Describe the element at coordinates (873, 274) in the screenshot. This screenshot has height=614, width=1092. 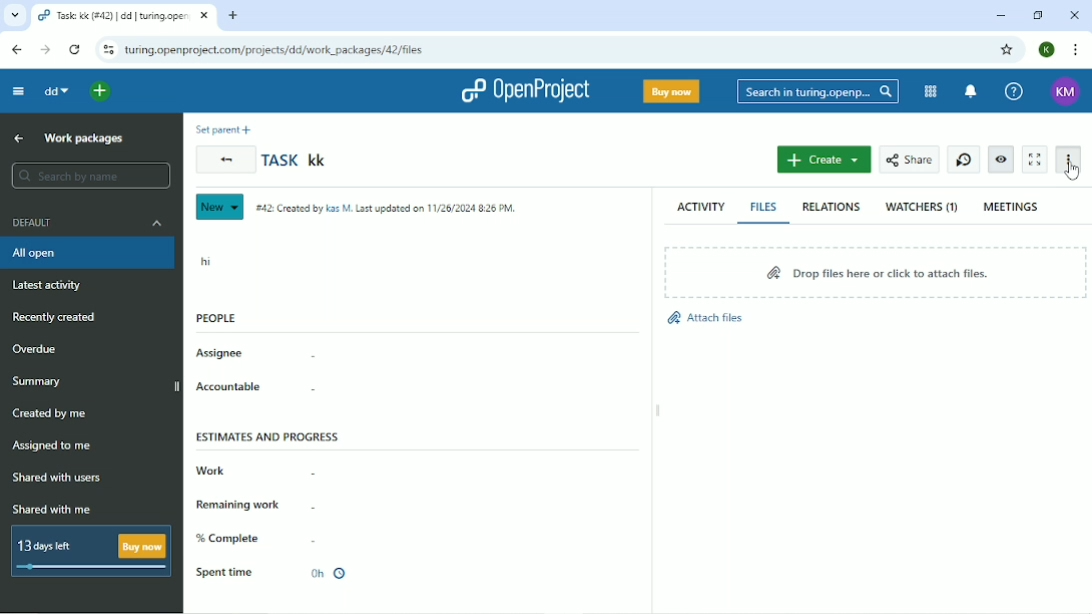
I see `Drag files here or click to attach files` at that location.